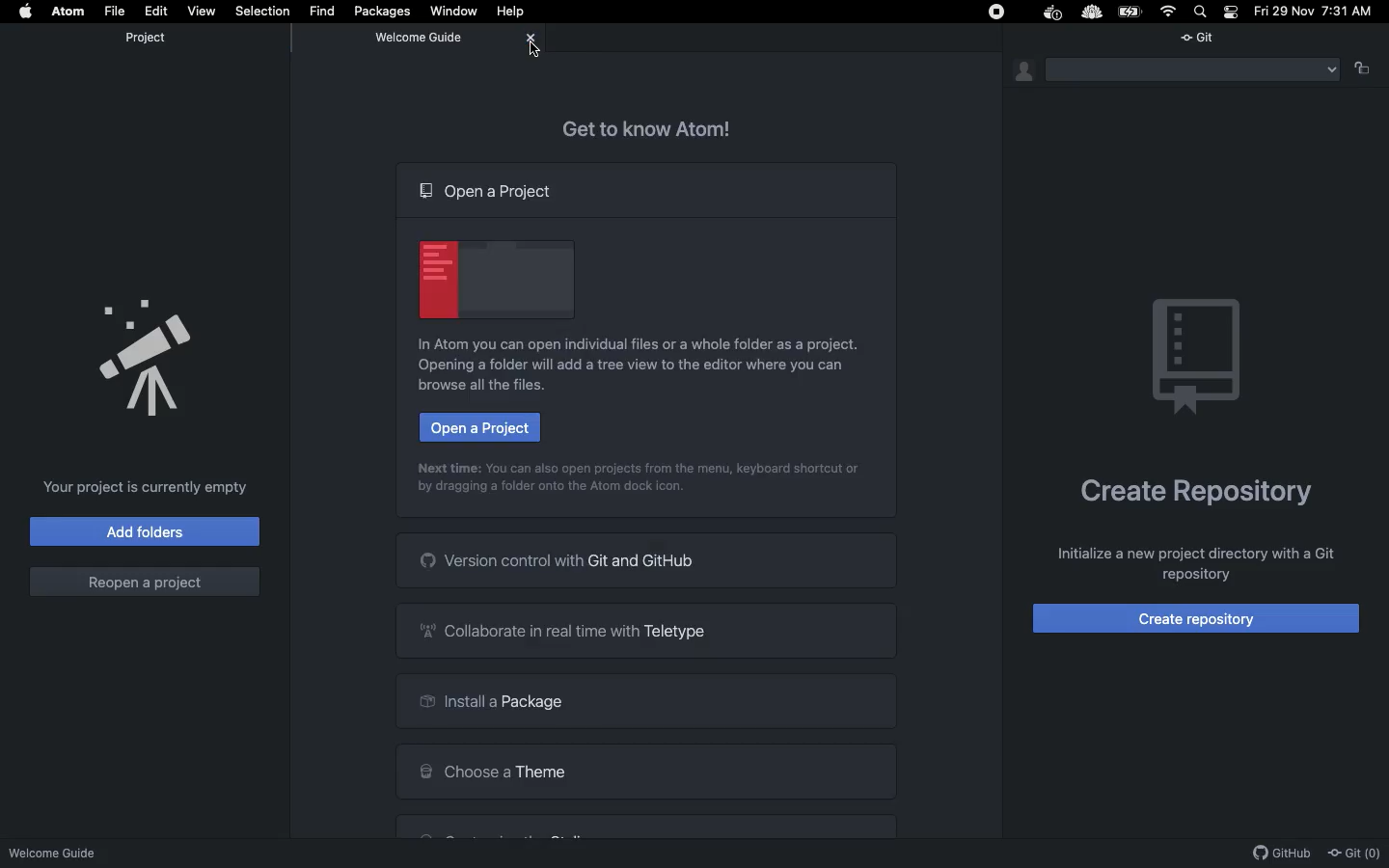 This screenshot has height=868, width=1389. I want to click on Project, so click(145, 41).